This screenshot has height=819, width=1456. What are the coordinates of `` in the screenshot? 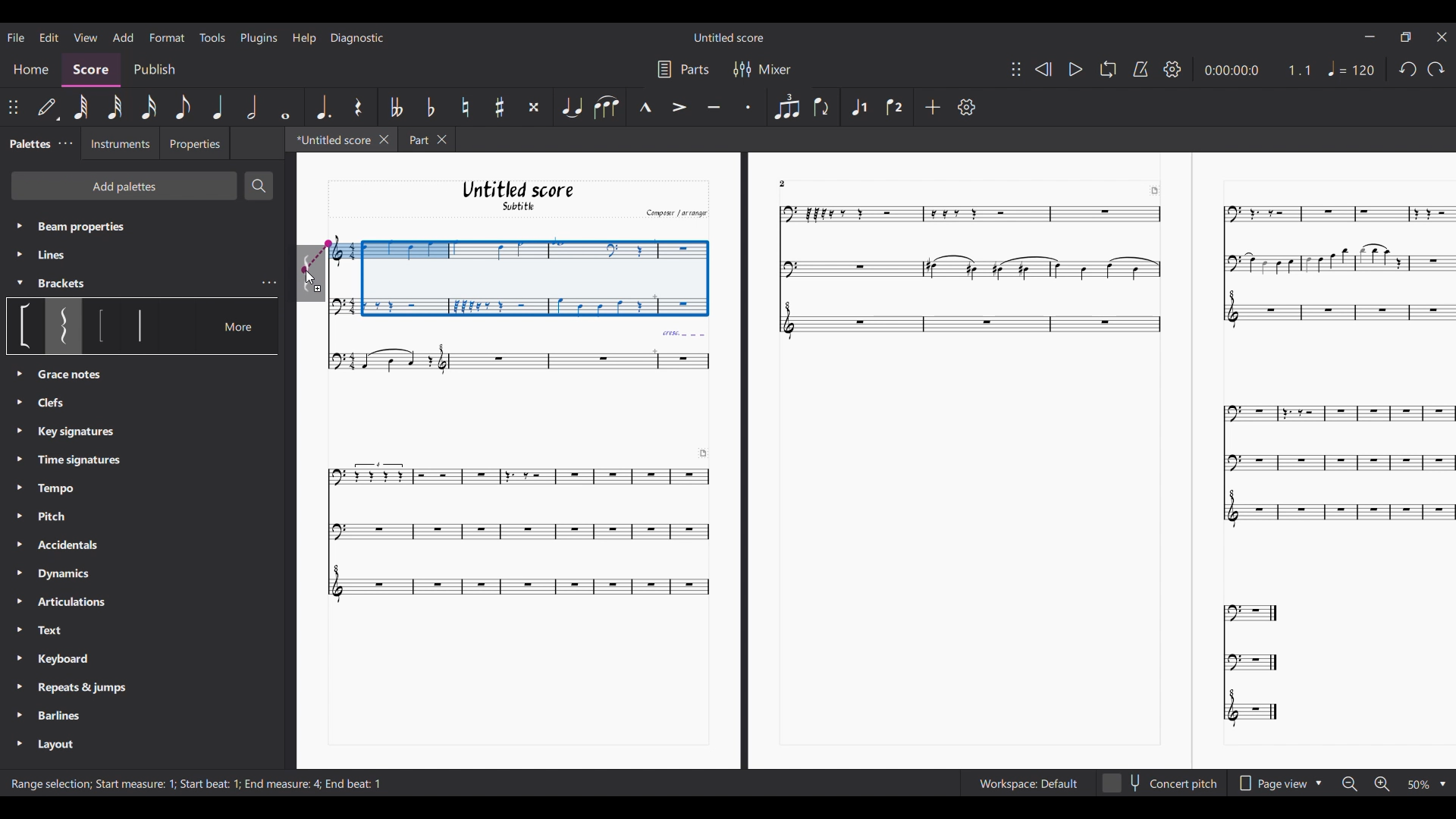 It's located at (522, 531).